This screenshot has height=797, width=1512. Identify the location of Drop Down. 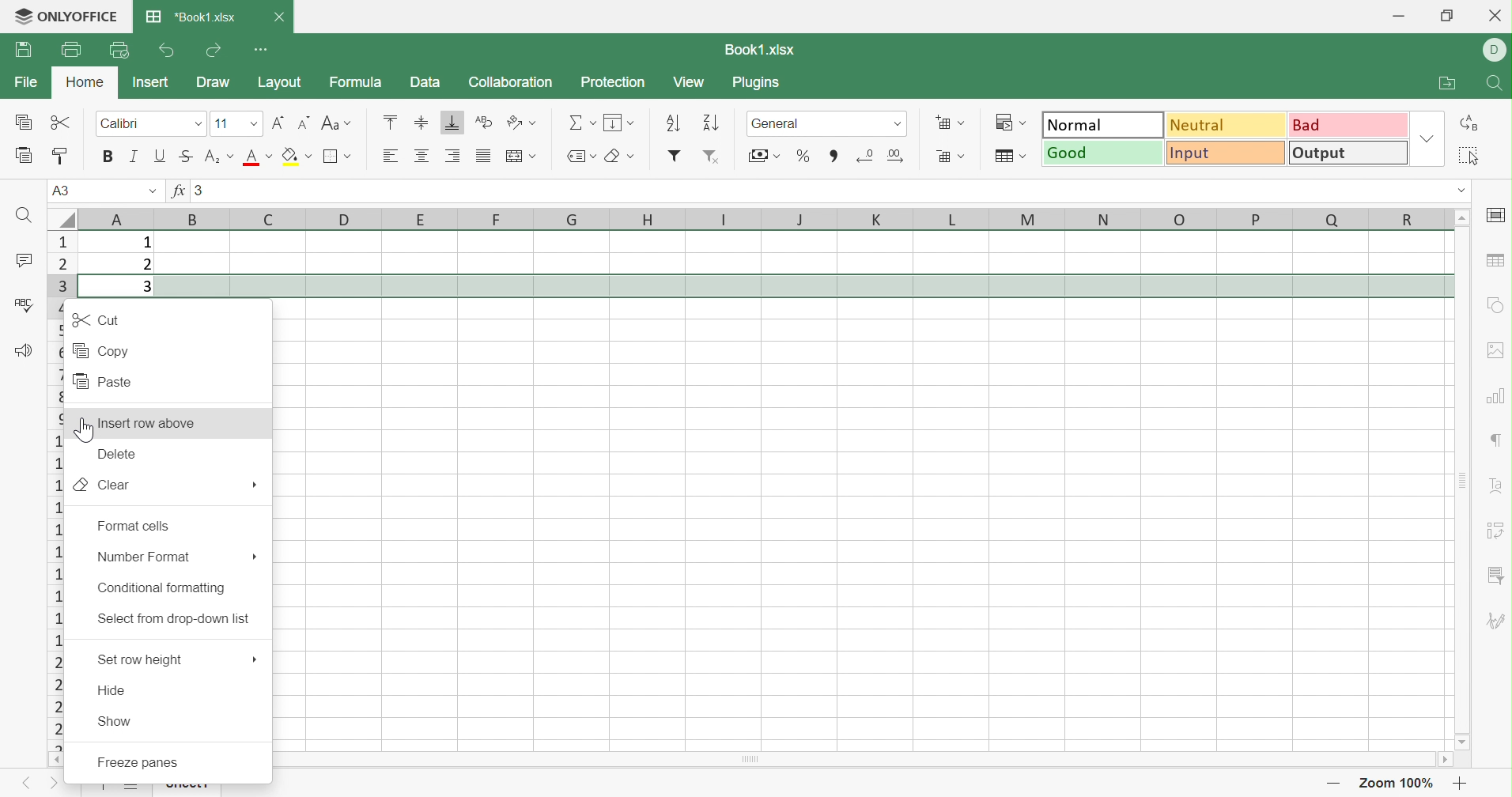
(533, 155).